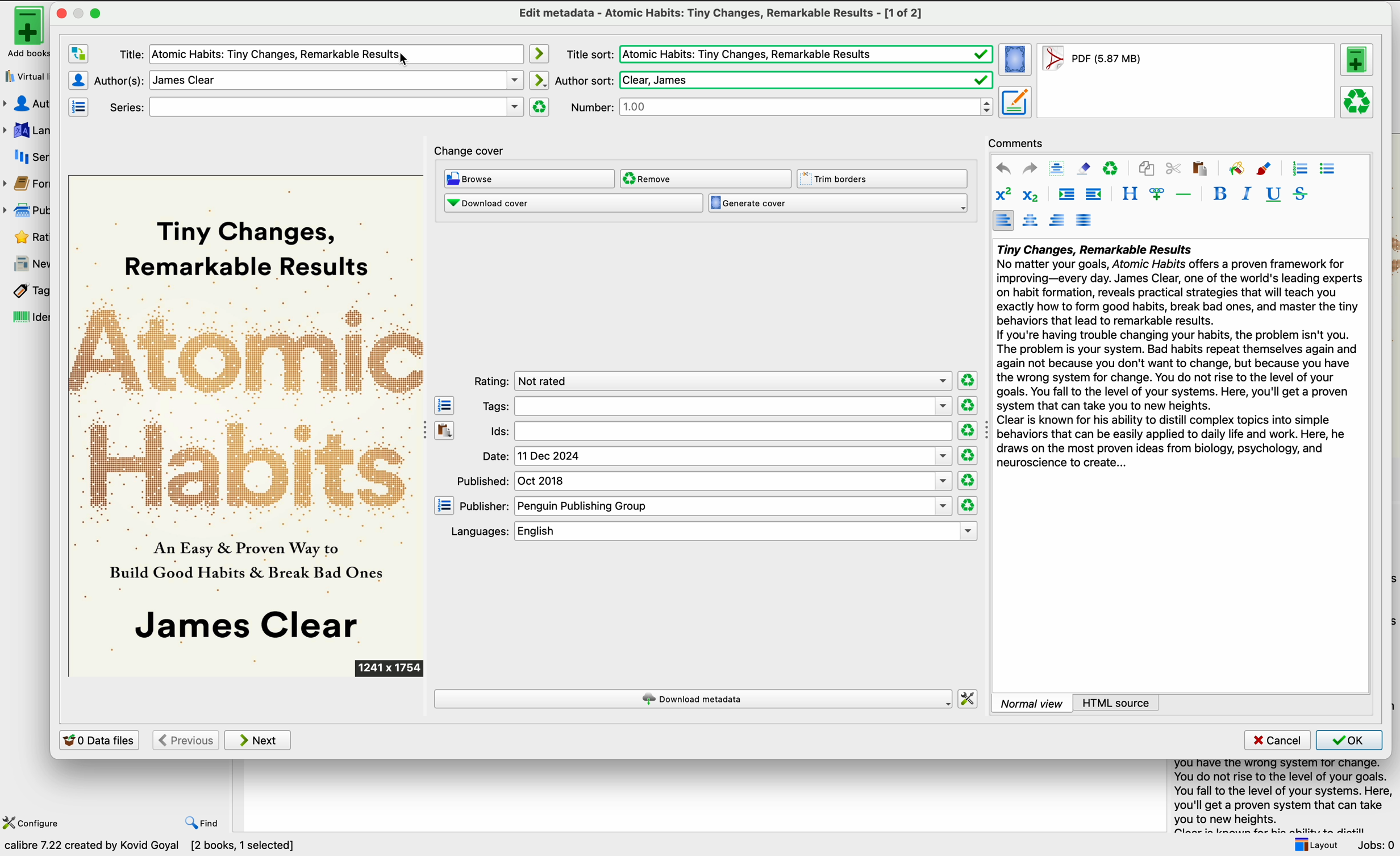 Image resolution: width=1400 pixels, height=856 pixels. What do you see at coordinates (529, 178) in the screenshot?
I see `browse` at bounding box center [529, 178].